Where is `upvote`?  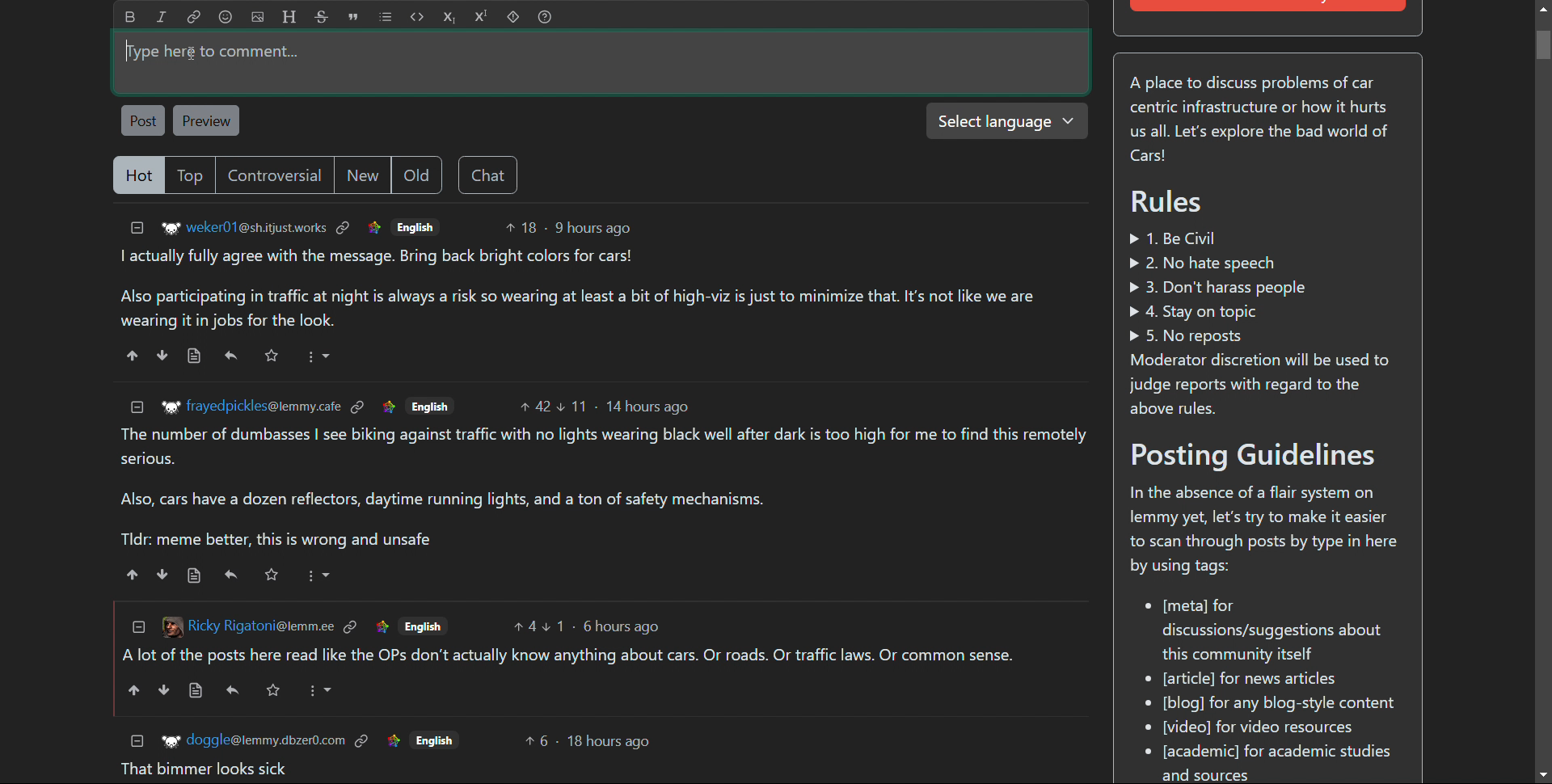
upvote is located at coordinates (133, 575).